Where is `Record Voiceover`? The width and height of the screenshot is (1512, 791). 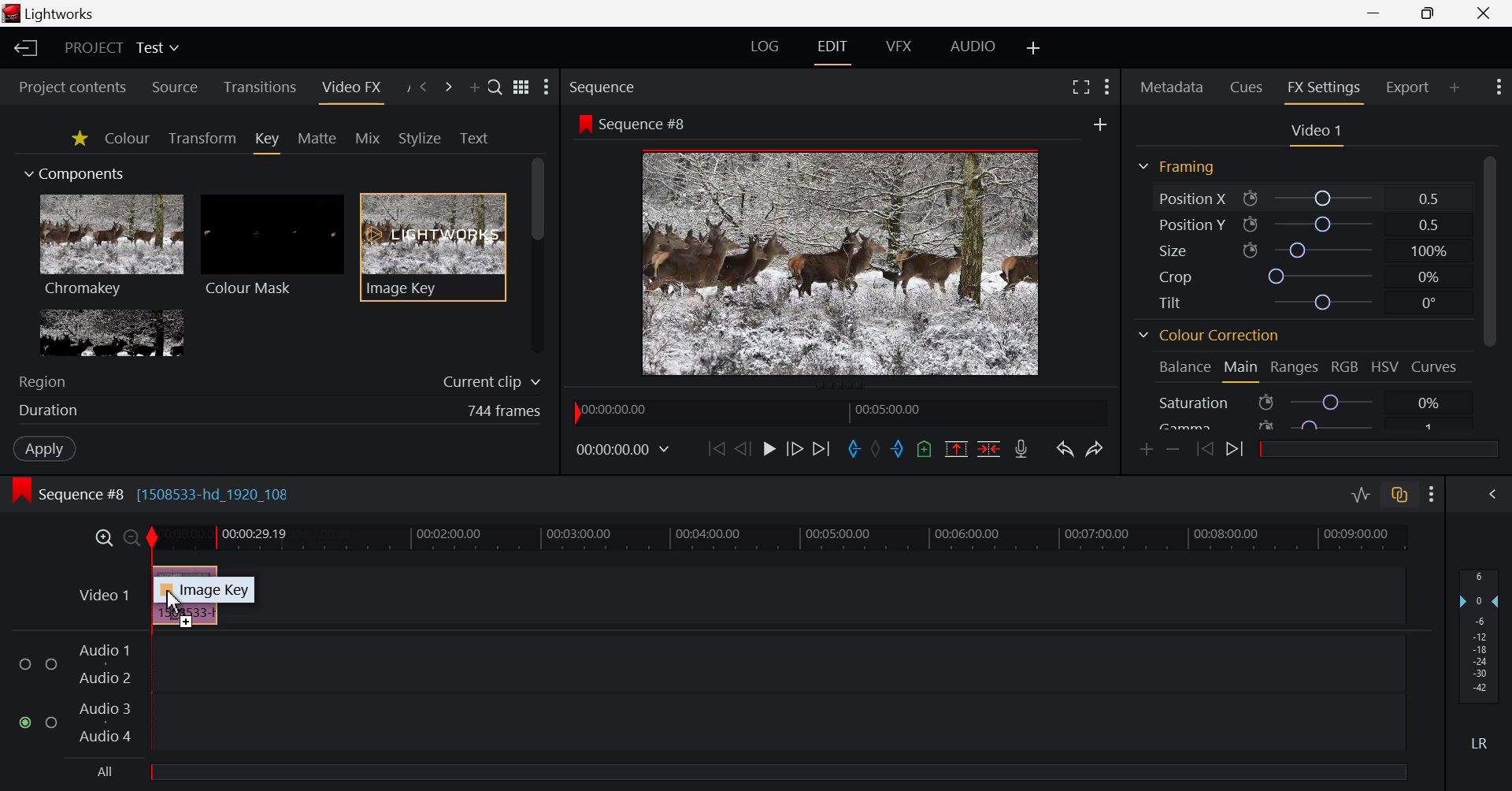
Record Voiceover is located at coordinates (1025, 451).